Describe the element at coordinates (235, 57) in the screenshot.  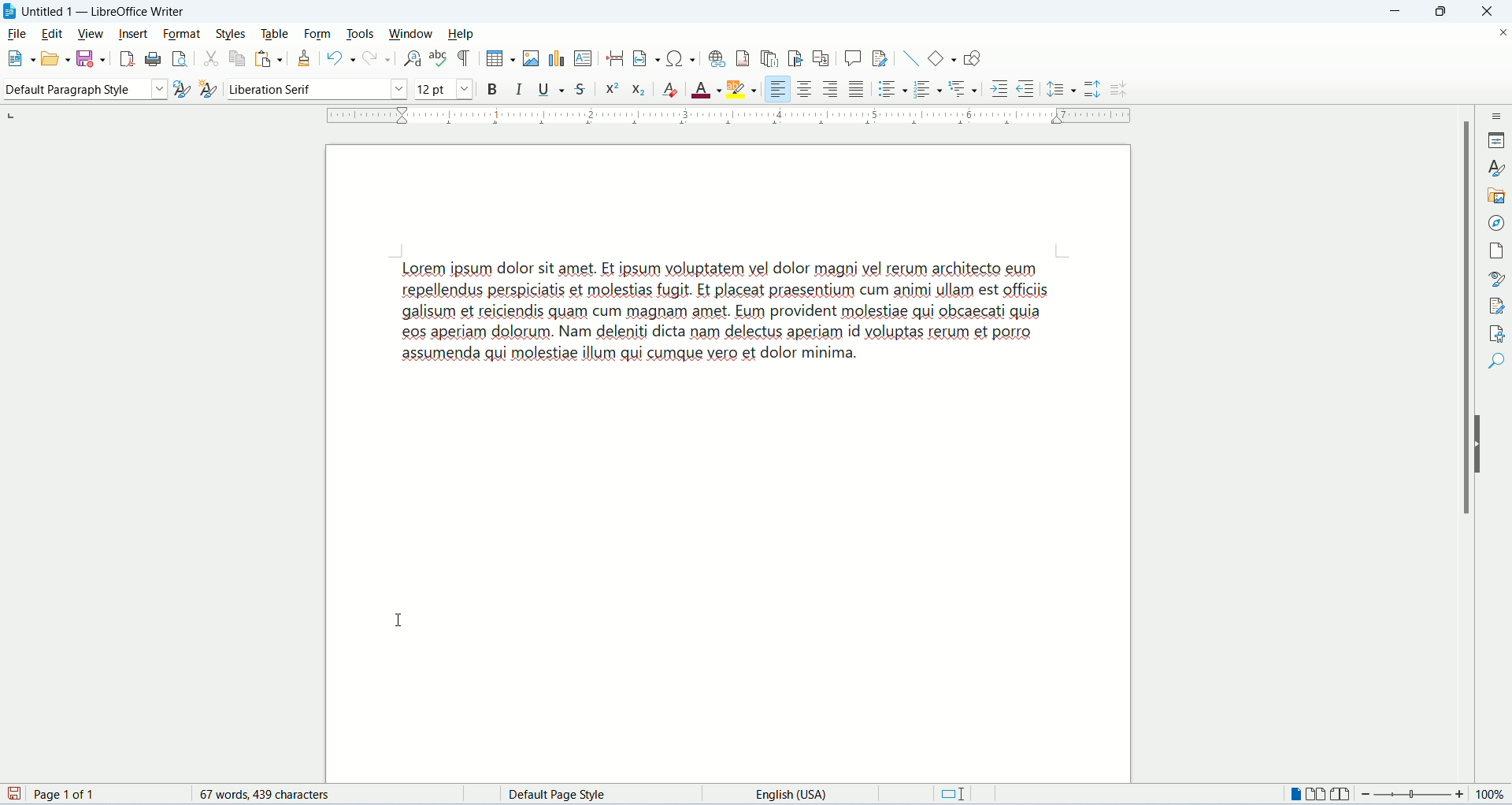
I see `copy` at that location.